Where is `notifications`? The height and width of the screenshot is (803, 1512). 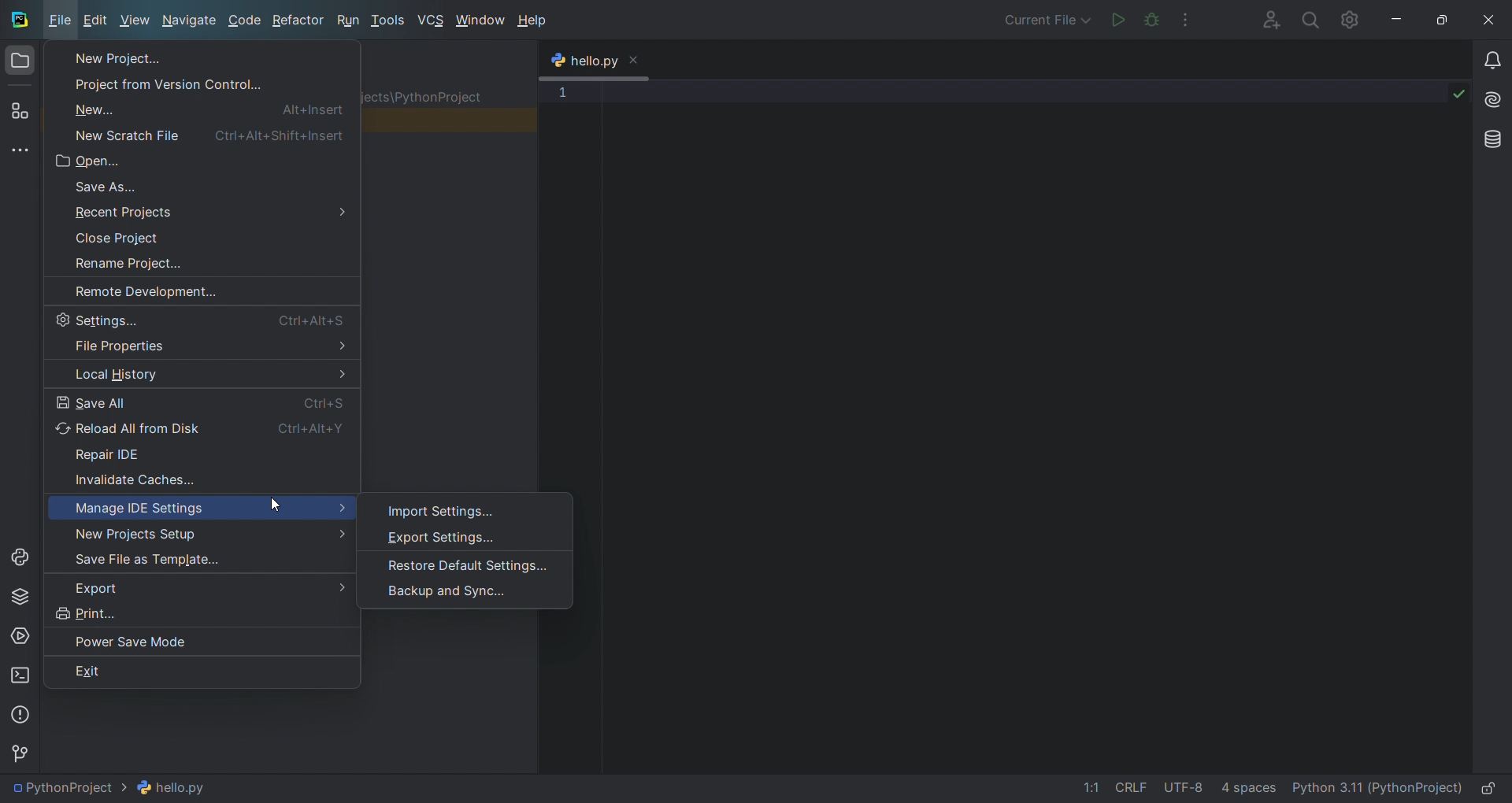 notifications is located at coordinates (1492, 62).